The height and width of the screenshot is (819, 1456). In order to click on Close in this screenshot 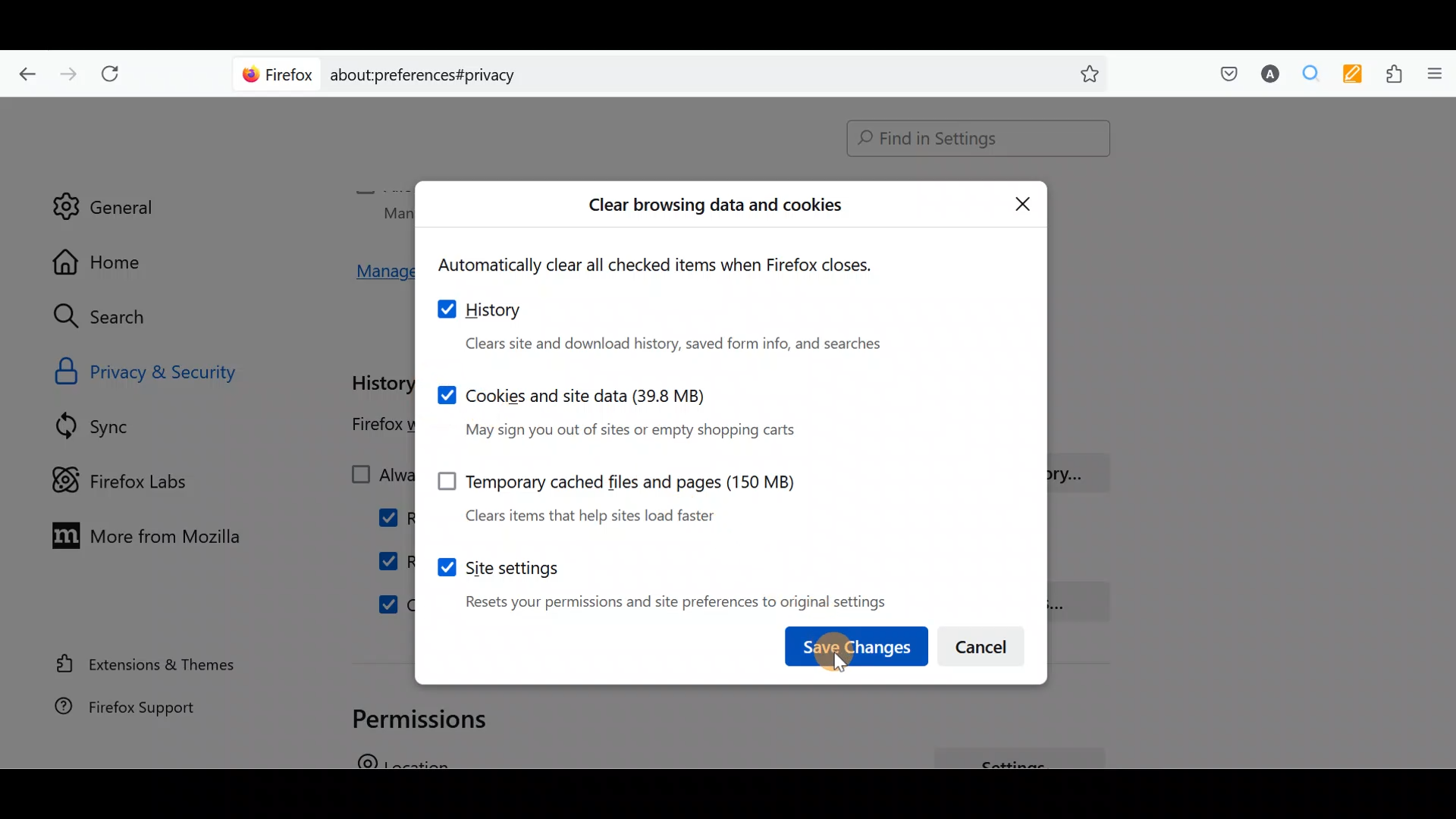, I will do `click(1023, 202)`.